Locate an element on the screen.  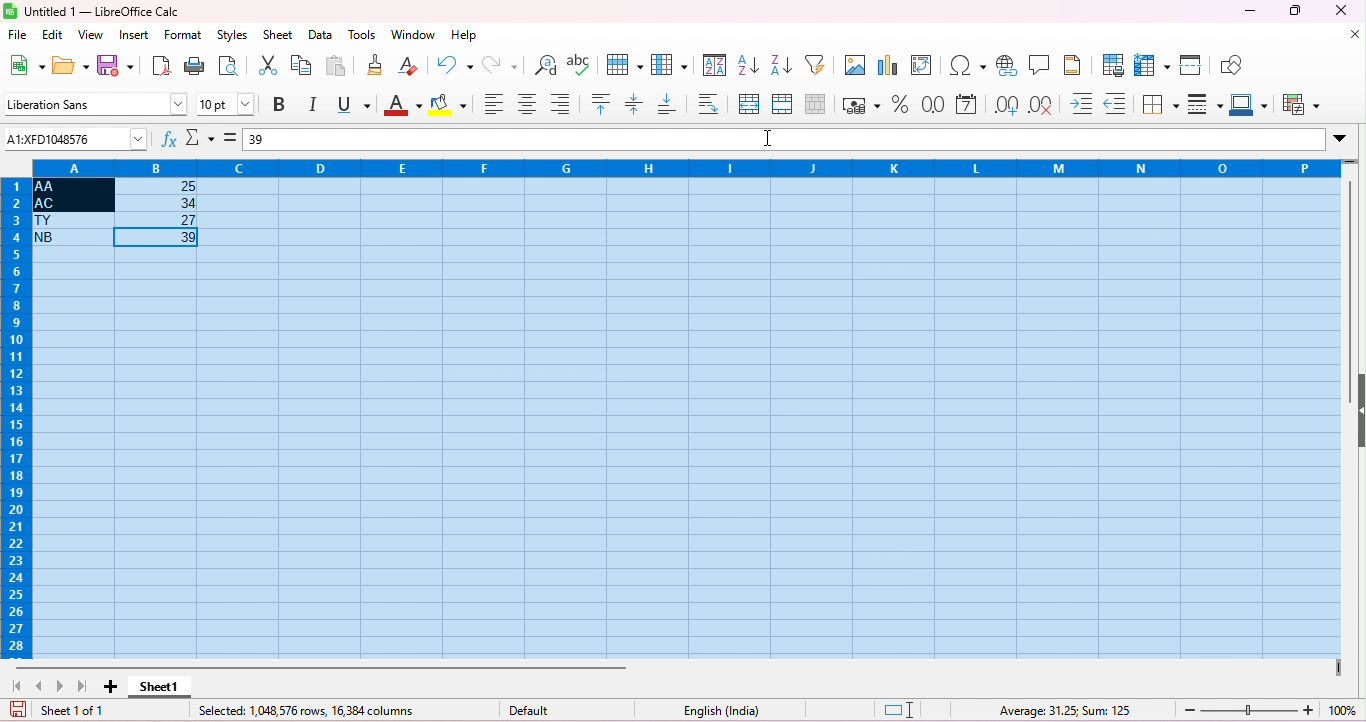
format as number is located at coordinates (934, 104).